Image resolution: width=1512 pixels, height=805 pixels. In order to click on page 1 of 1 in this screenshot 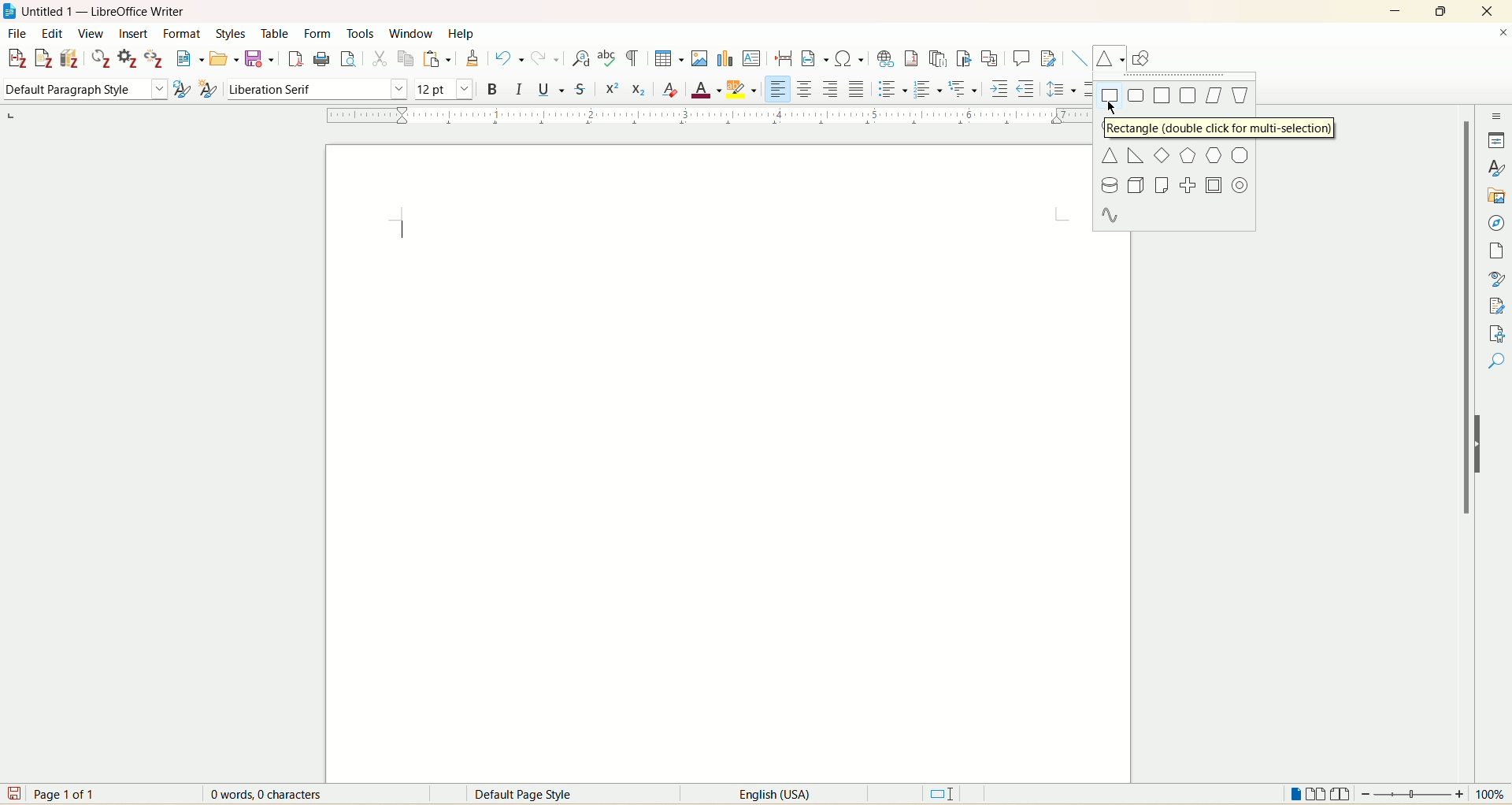, I will do `click(69, 793)`.